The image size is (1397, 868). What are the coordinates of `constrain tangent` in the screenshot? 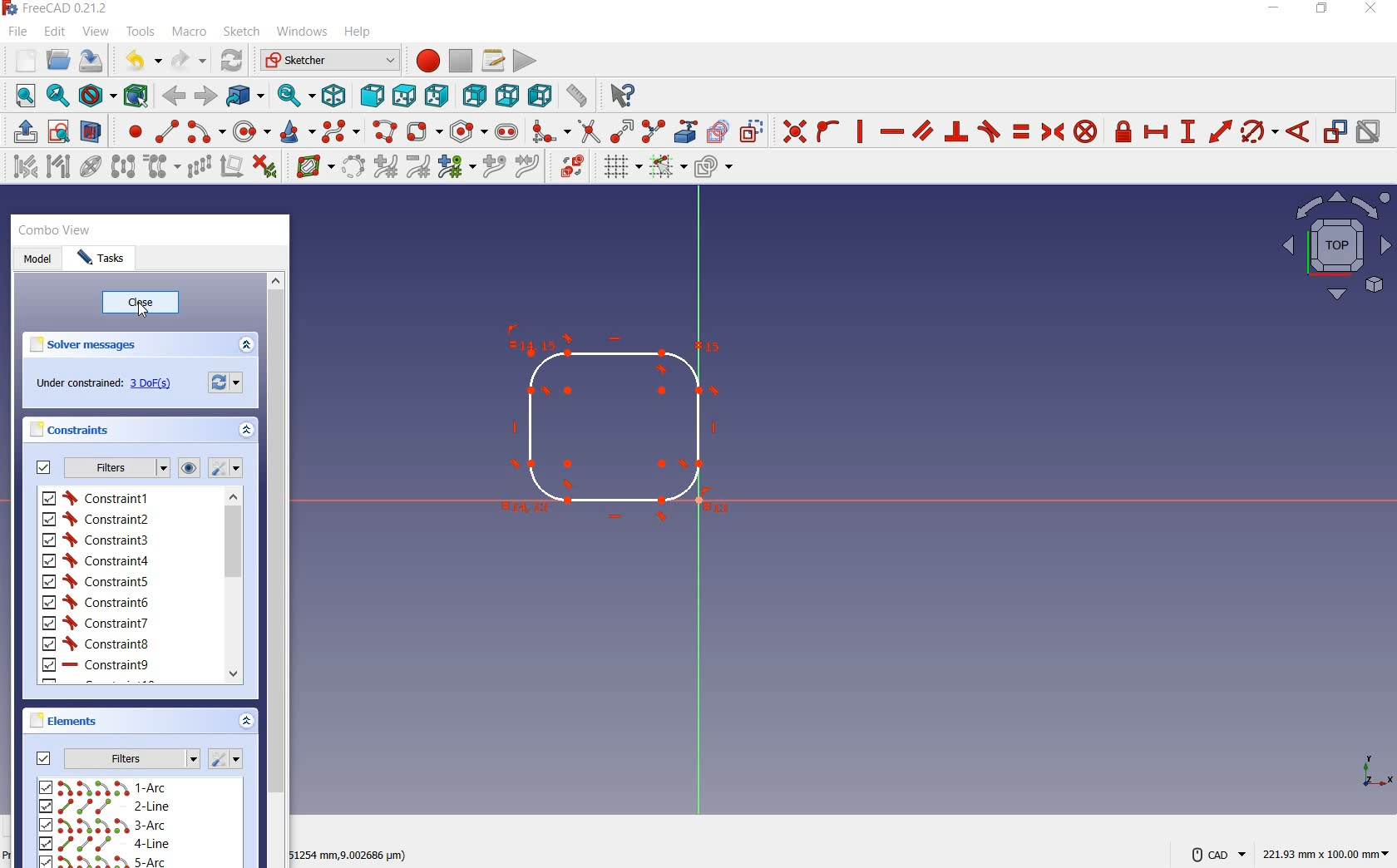 It's located at (989, 131).